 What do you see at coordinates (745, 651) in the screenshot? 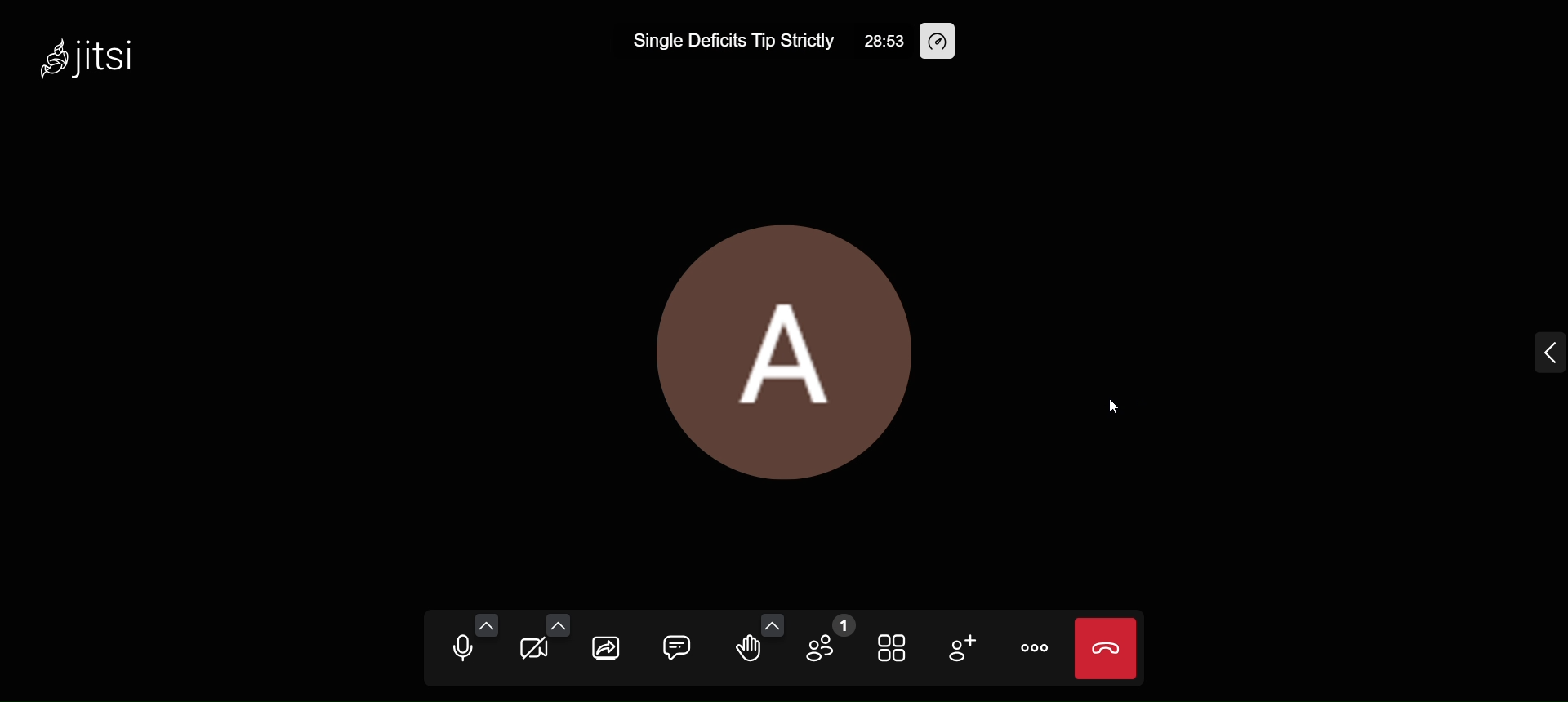
I see `raise your hand` at bounding box center [745, 651].